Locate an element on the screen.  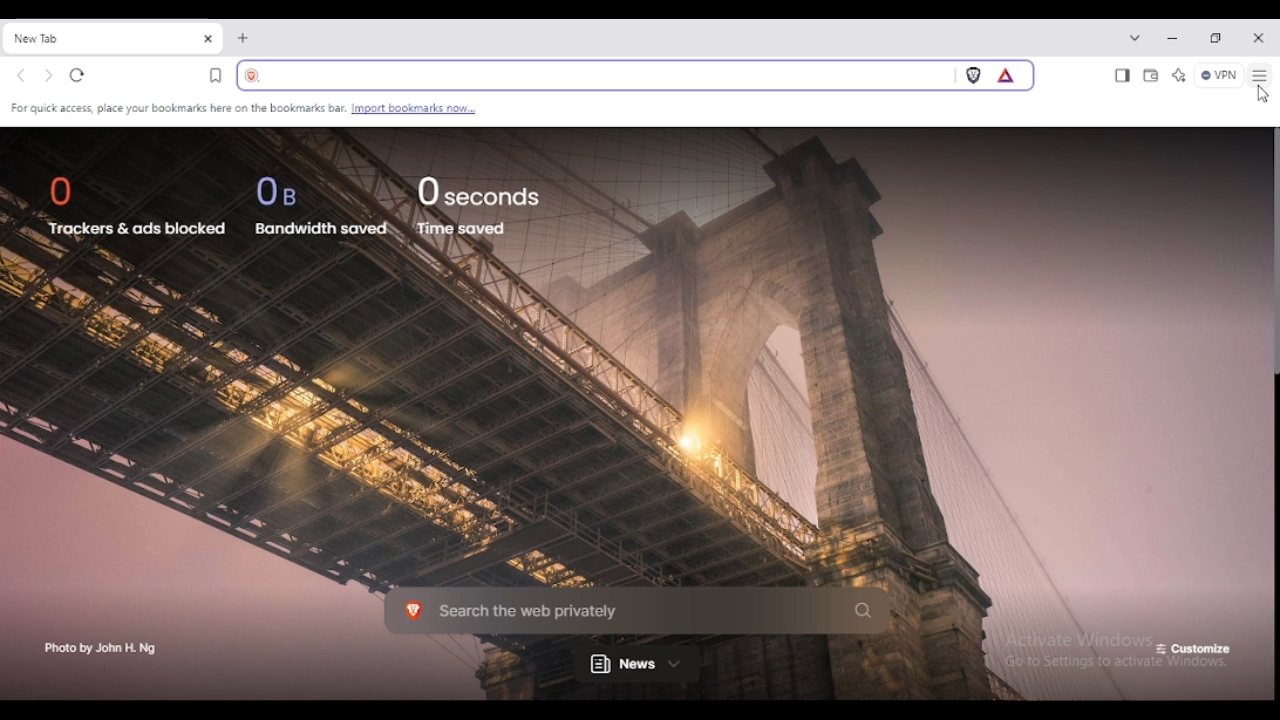
cursor is located at coordinates (1262, 95).